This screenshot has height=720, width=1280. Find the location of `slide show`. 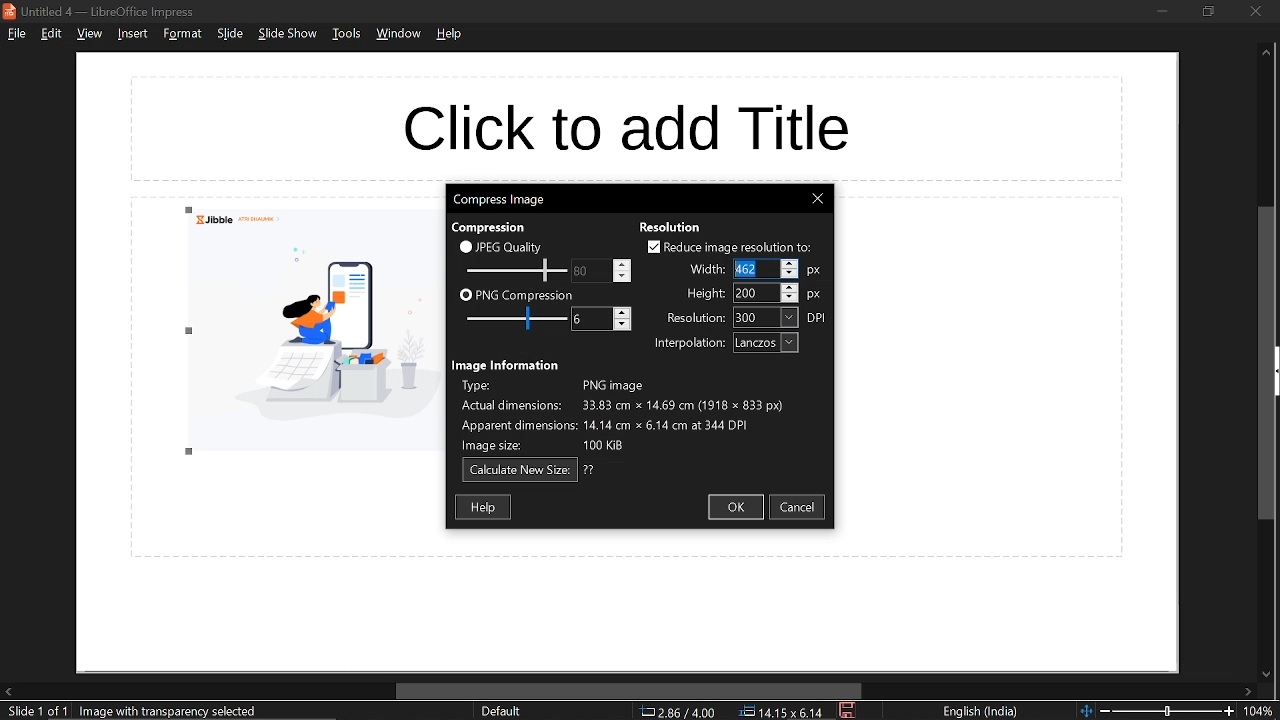

slide show is located at coordinates (288, 34).